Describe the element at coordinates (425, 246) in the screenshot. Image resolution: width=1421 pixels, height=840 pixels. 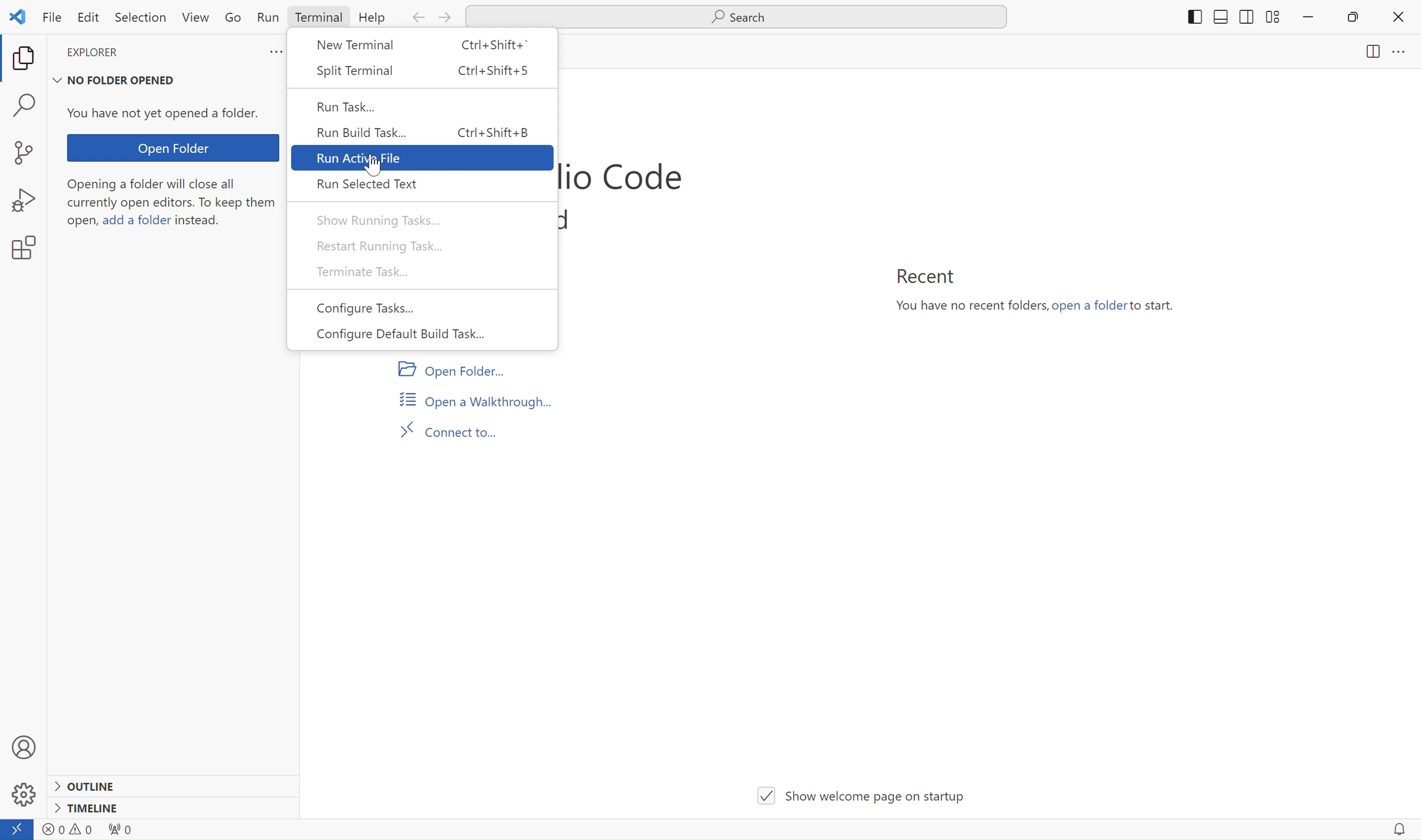
I see `restart running task` at that location.